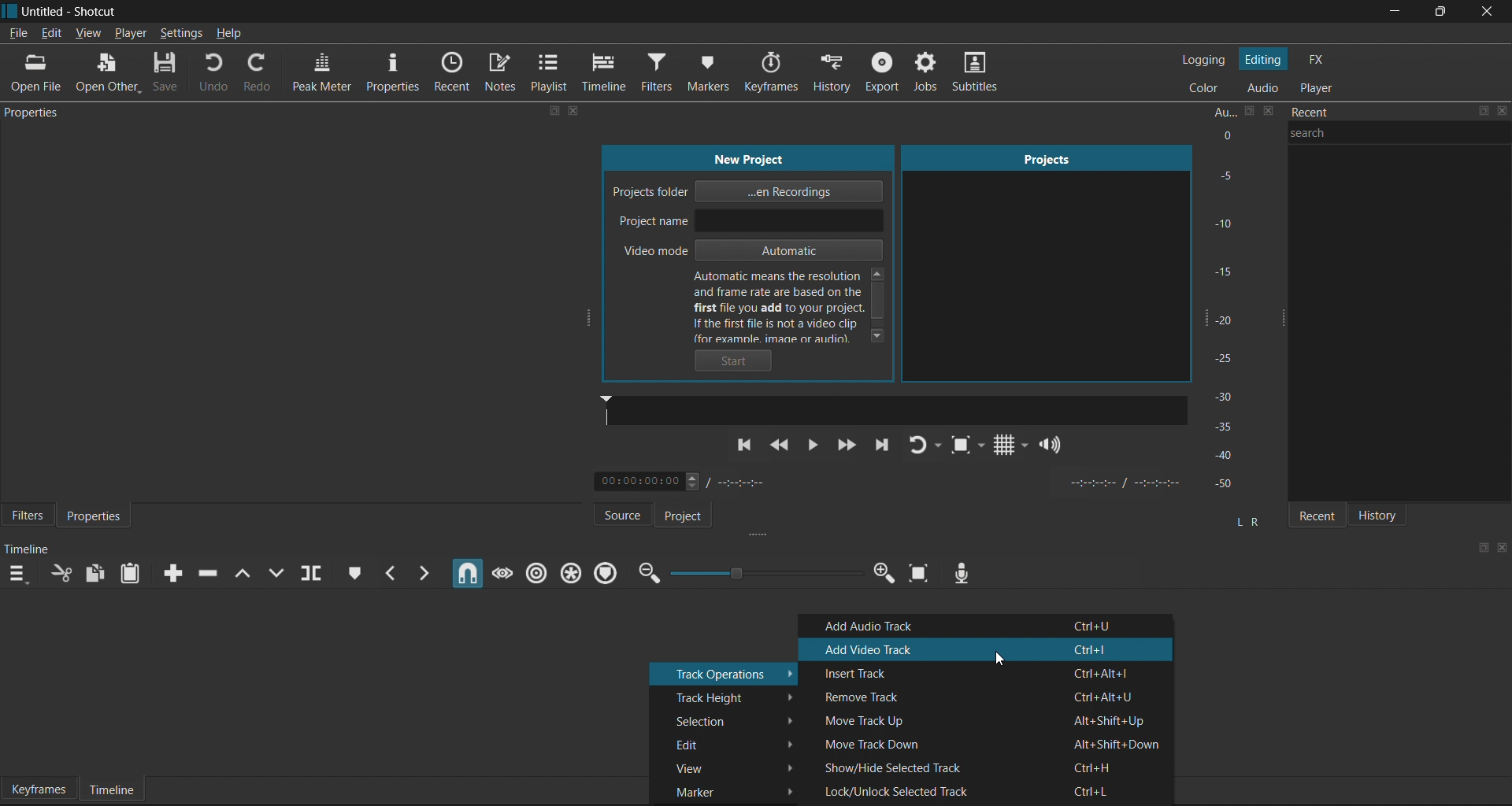 This screenshot has height=806, width=1512. Describe the element at coordinates (750, 222) in the screenshot. I see `Project name` at that location.